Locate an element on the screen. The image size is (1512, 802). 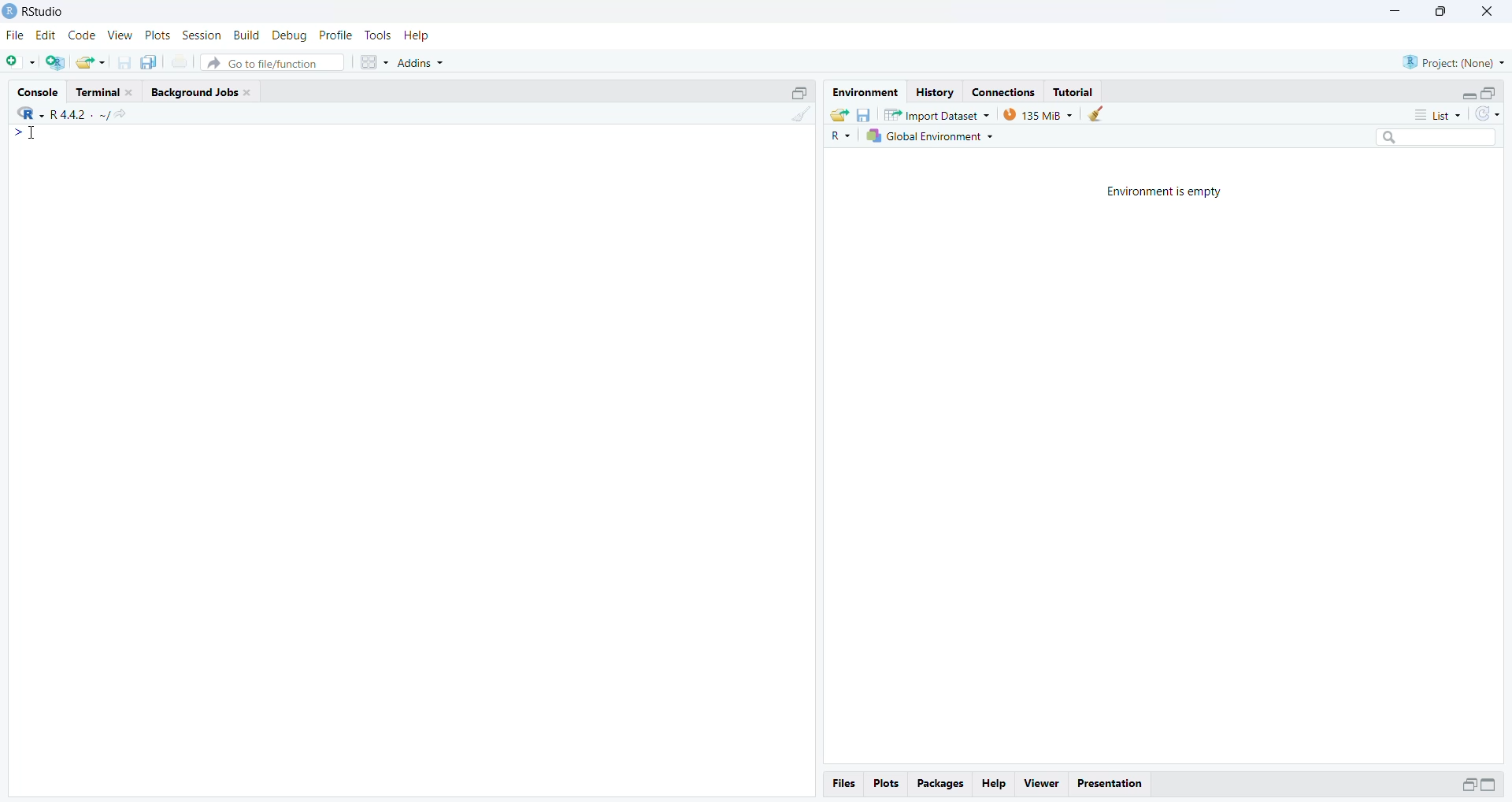
Open an existing file (Ctrl + O) is located at coordinates (92, 62).